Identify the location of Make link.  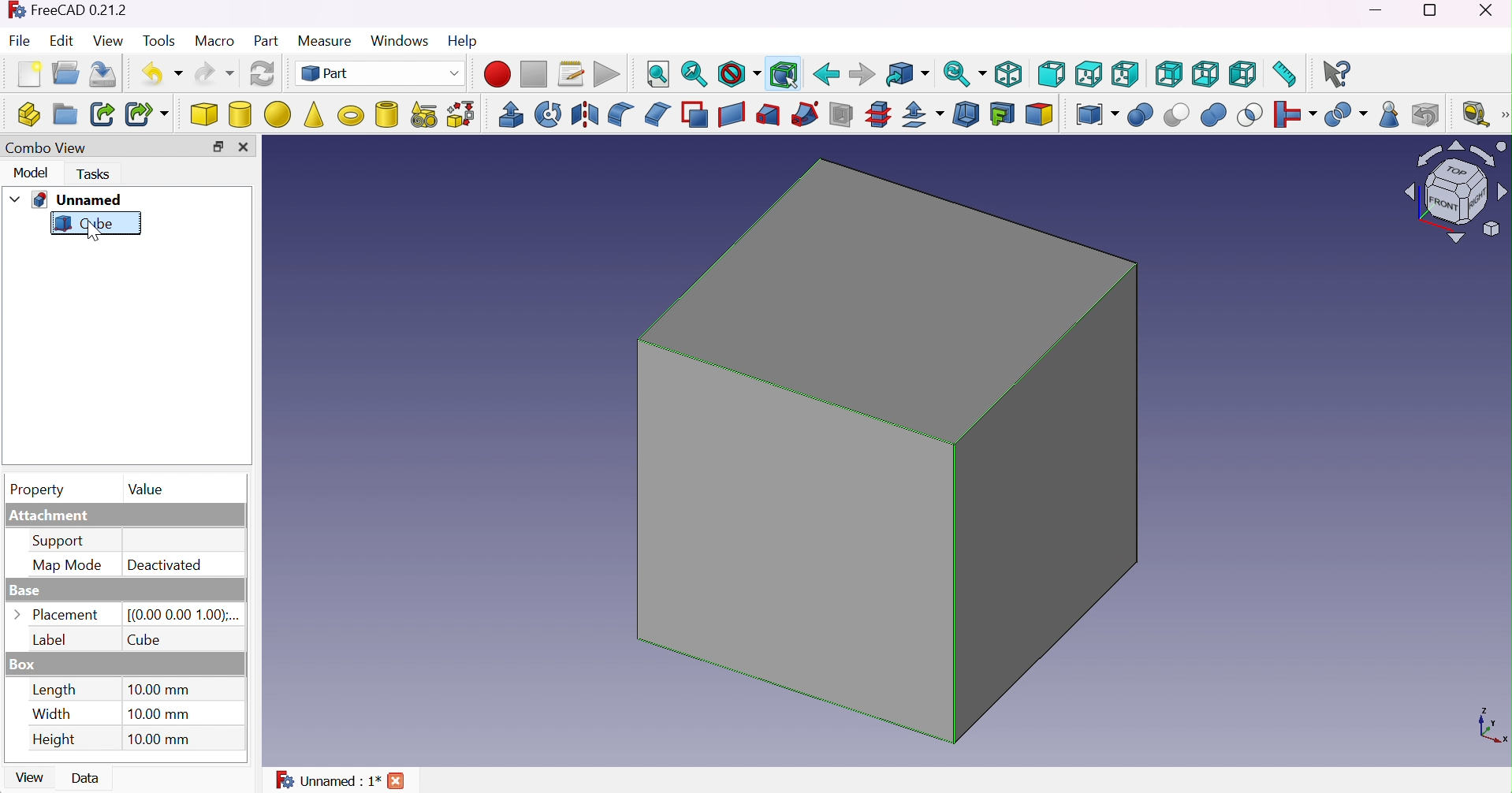
(102, 115).